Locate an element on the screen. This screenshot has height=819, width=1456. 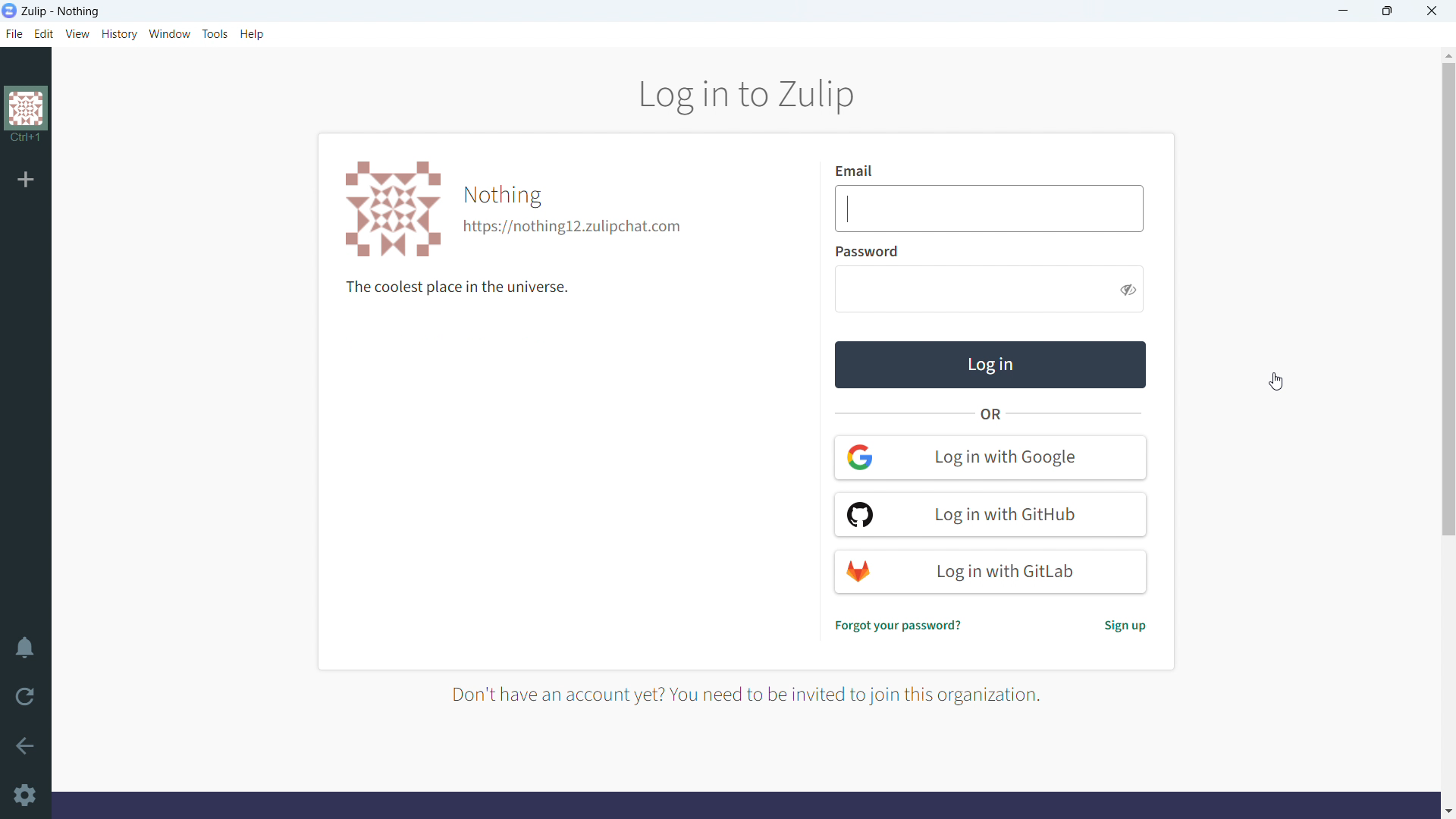
caption is located at coordinates (460, 288).